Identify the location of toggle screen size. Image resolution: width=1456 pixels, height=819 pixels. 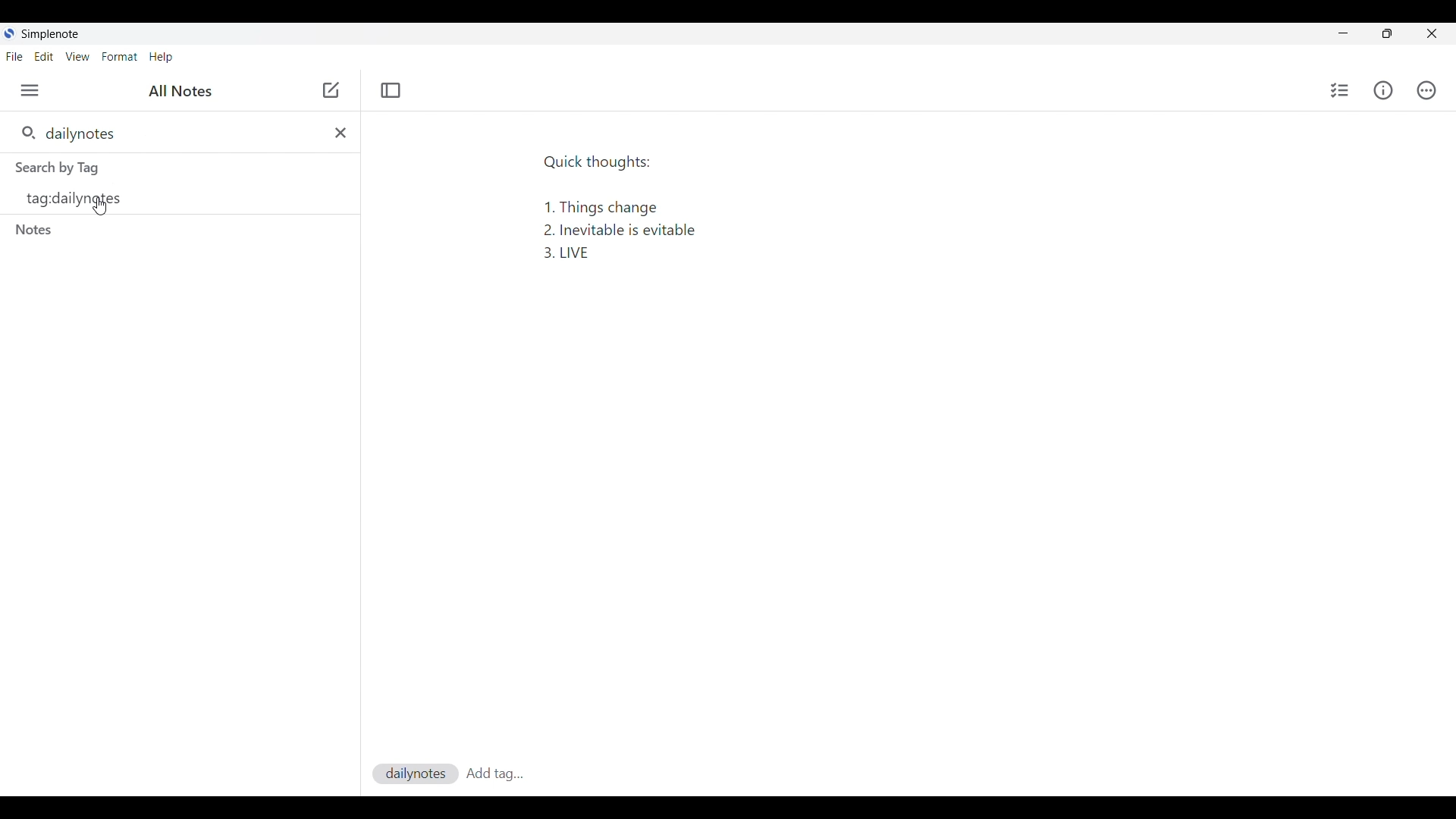
(1387, 33).